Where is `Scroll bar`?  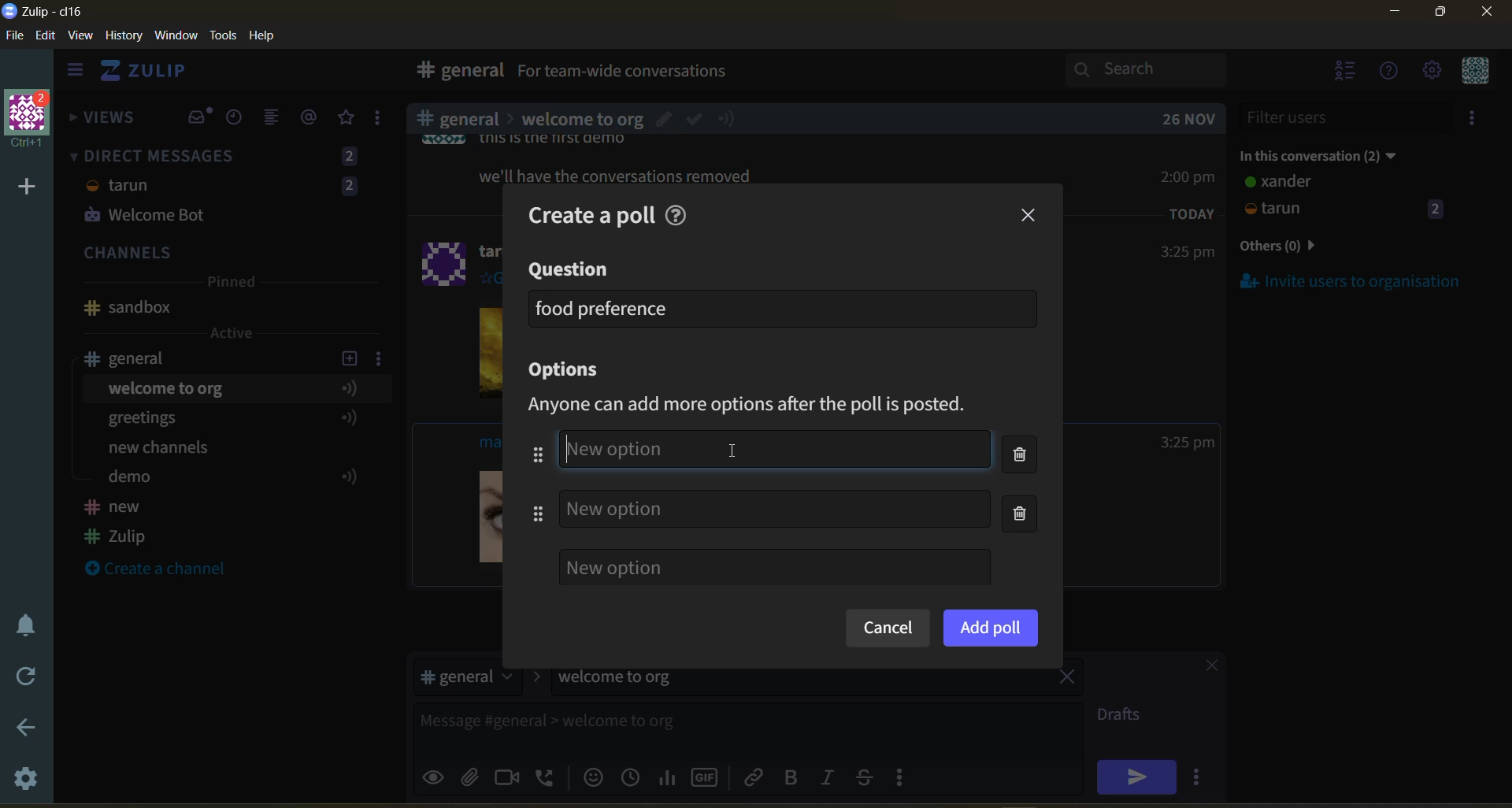
Scroll bar is located at coordinates (1503, 421).